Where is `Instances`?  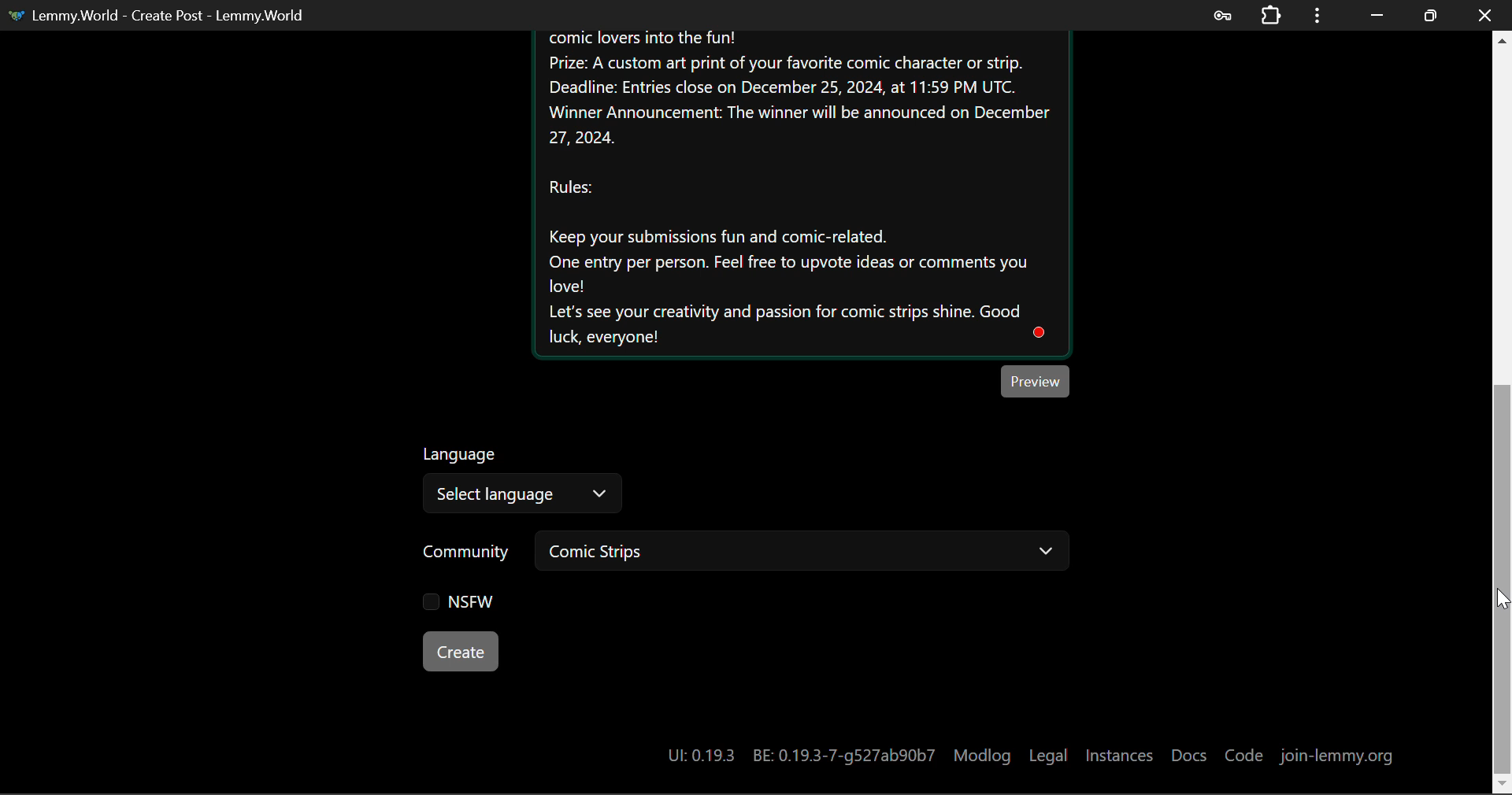 Instances is located at coordinates (1119, 756).